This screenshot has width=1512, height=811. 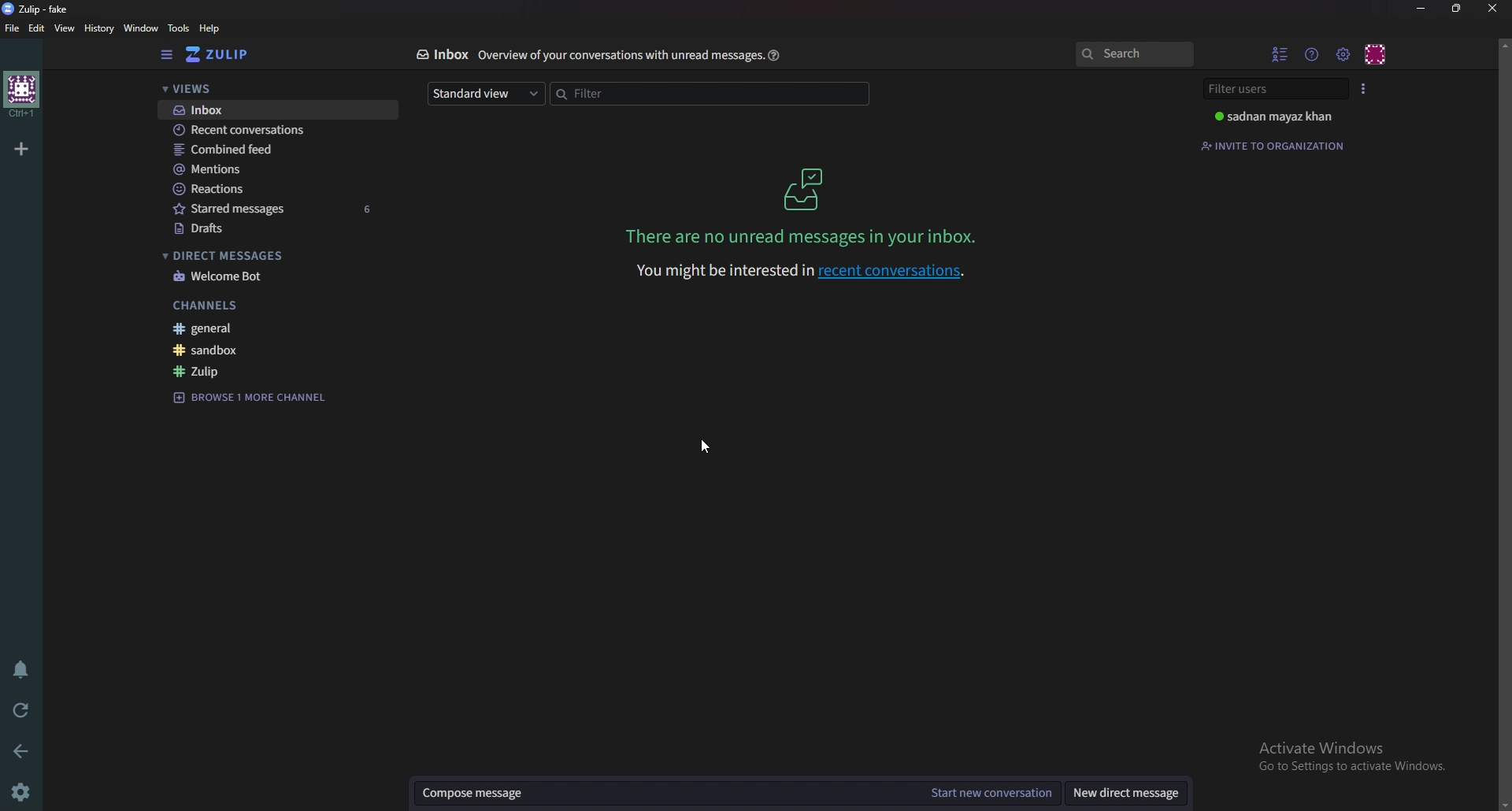 What do you see at coordinates (711, 93) in the screenshot?
I see `Filter` at bounding box center [711, 93].